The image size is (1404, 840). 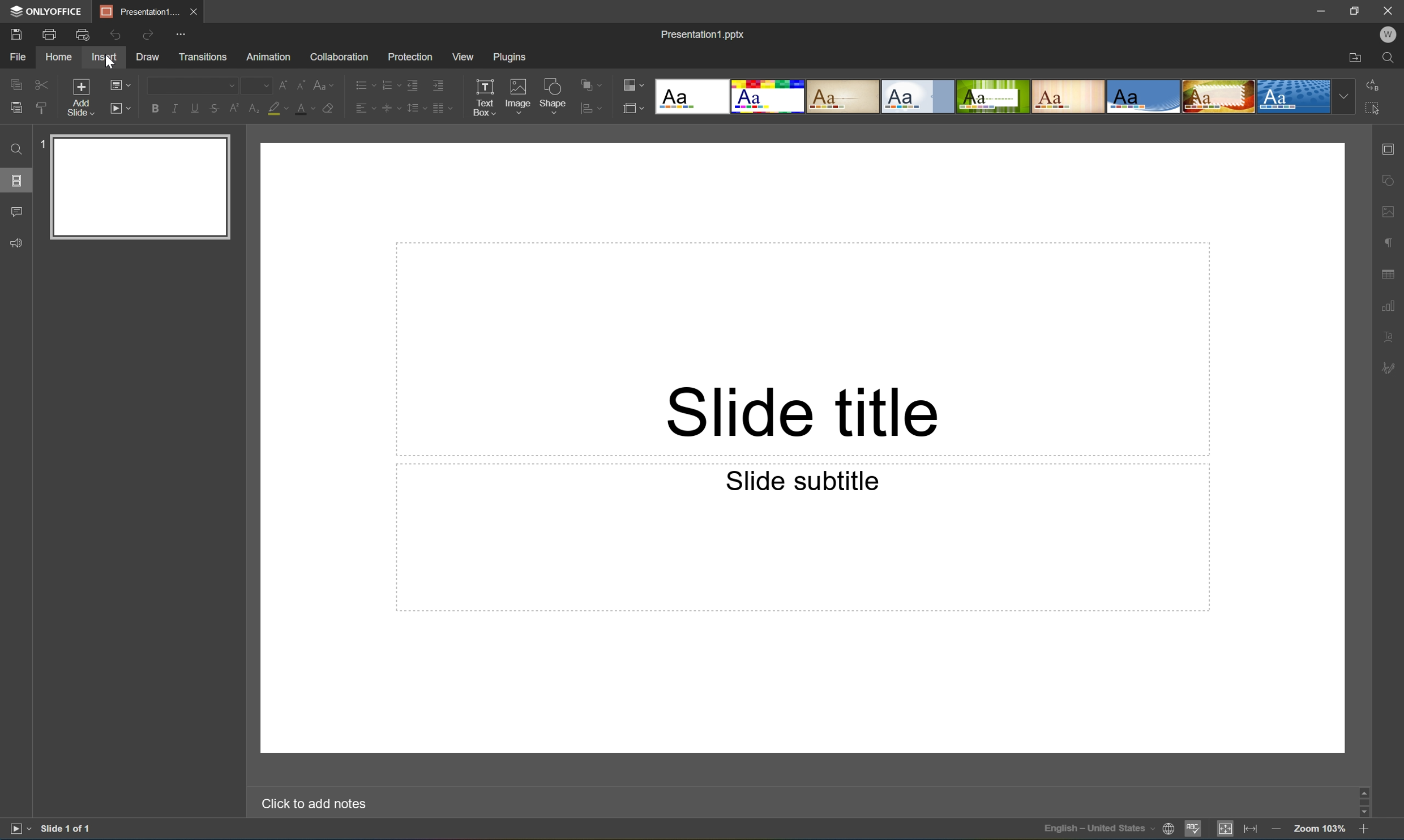 I want to click on Change slide layout, so click(x=118, y=84).